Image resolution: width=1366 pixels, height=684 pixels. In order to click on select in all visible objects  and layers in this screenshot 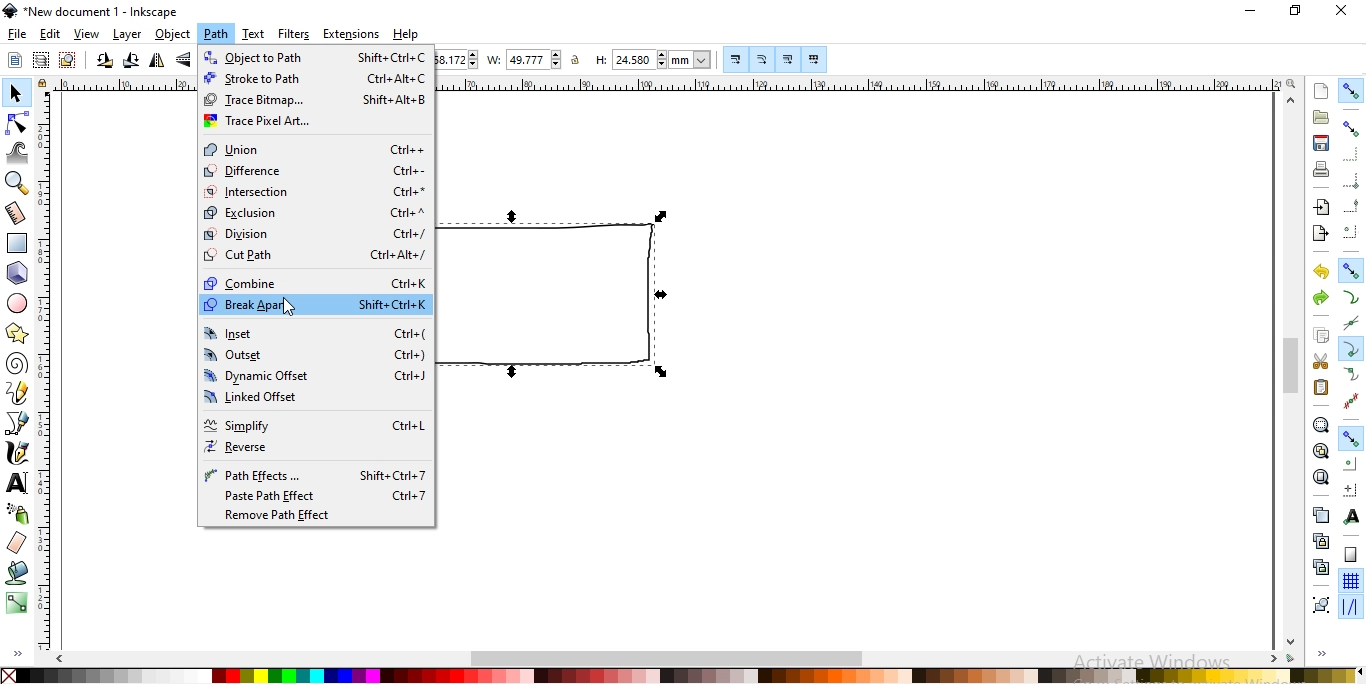, I will do `click(41, 62)`.